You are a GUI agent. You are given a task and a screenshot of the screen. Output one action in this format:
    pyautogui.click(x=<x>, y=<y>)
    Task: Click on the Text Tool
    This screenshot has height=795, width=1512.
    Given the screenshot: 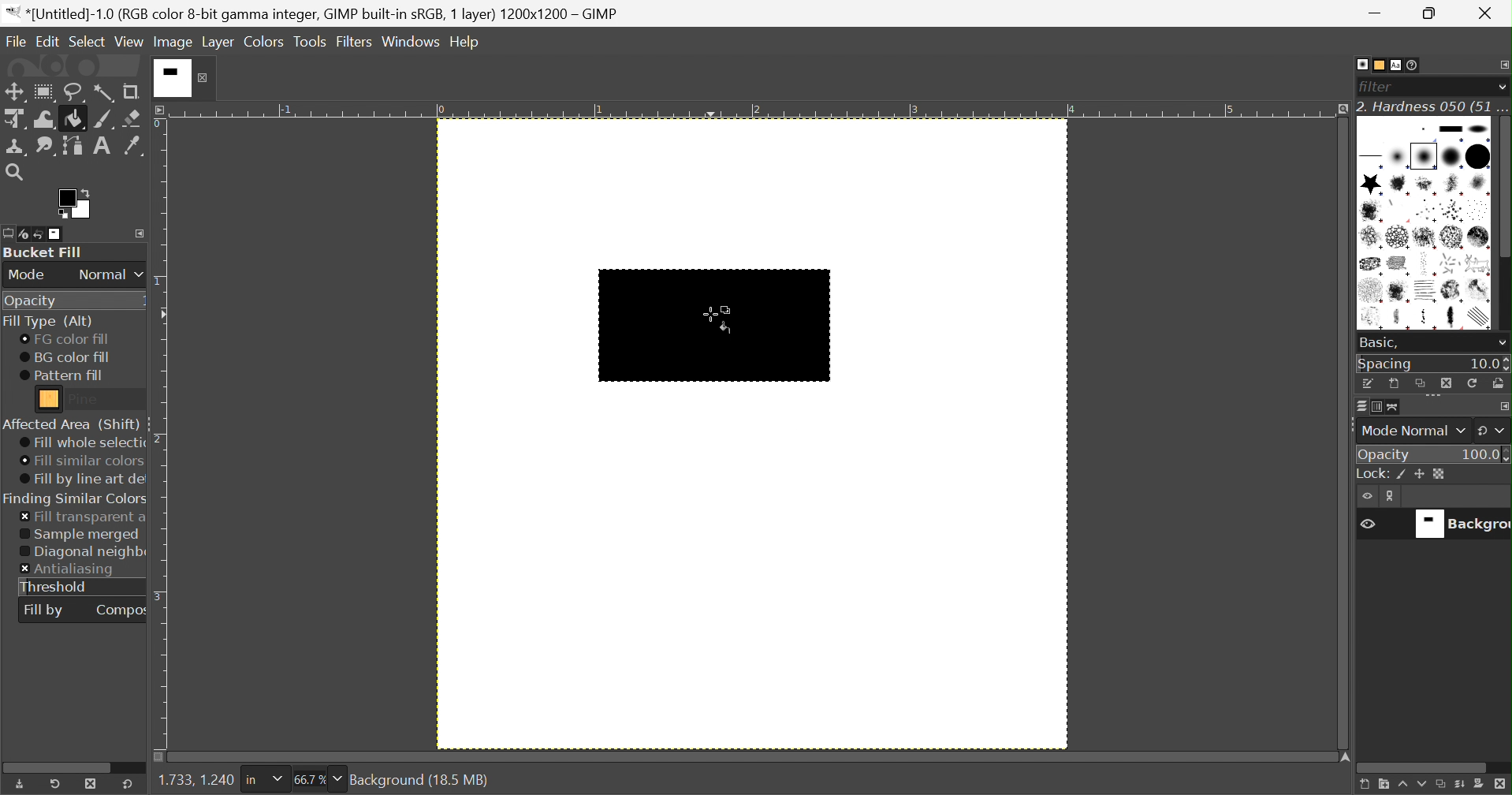 What is the action you would take?
    pyautogui.click(x=102, y=146)
    